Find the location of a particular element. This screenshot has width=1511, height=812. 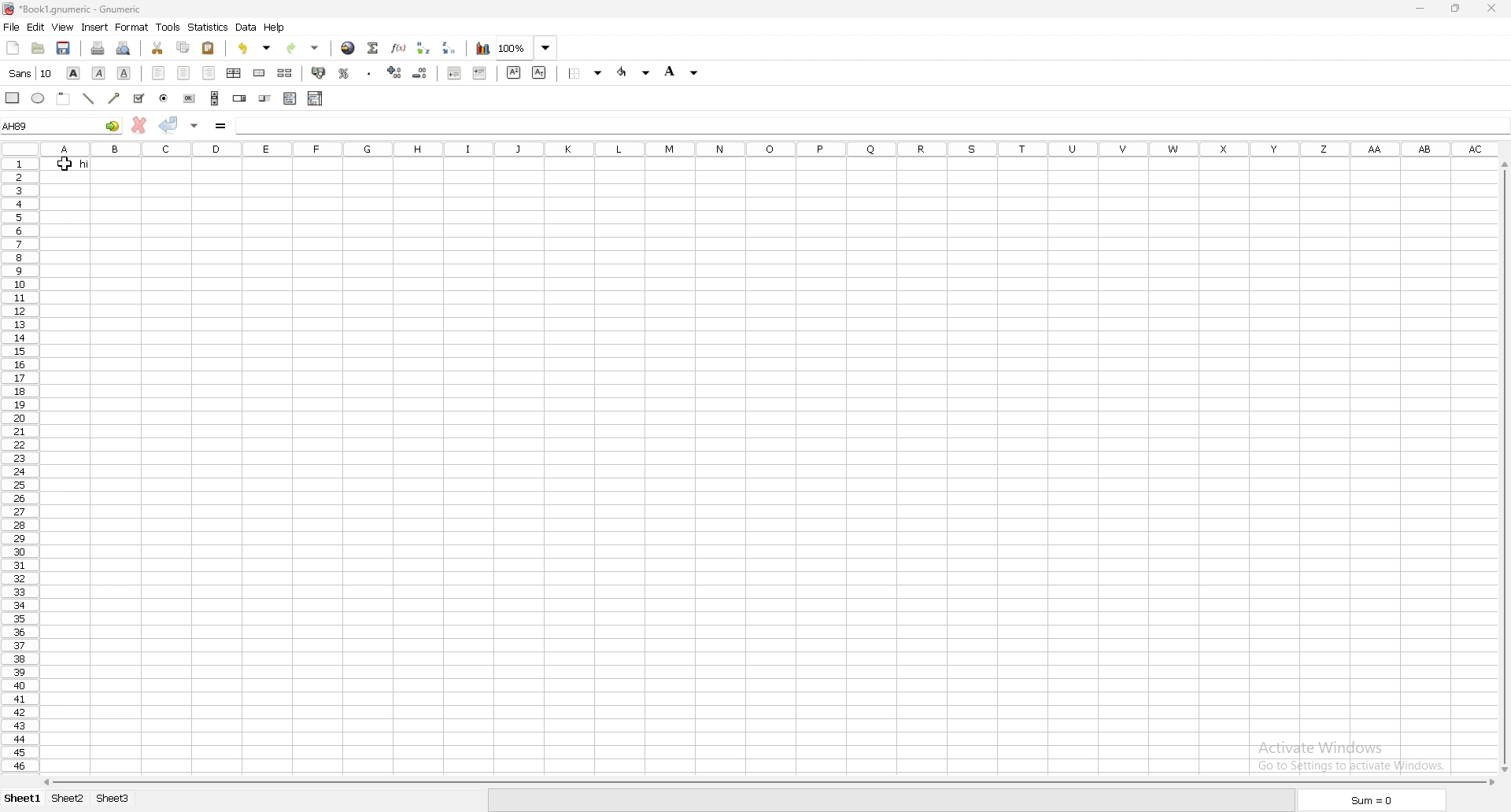

columns is located at coordinates (771, 147).